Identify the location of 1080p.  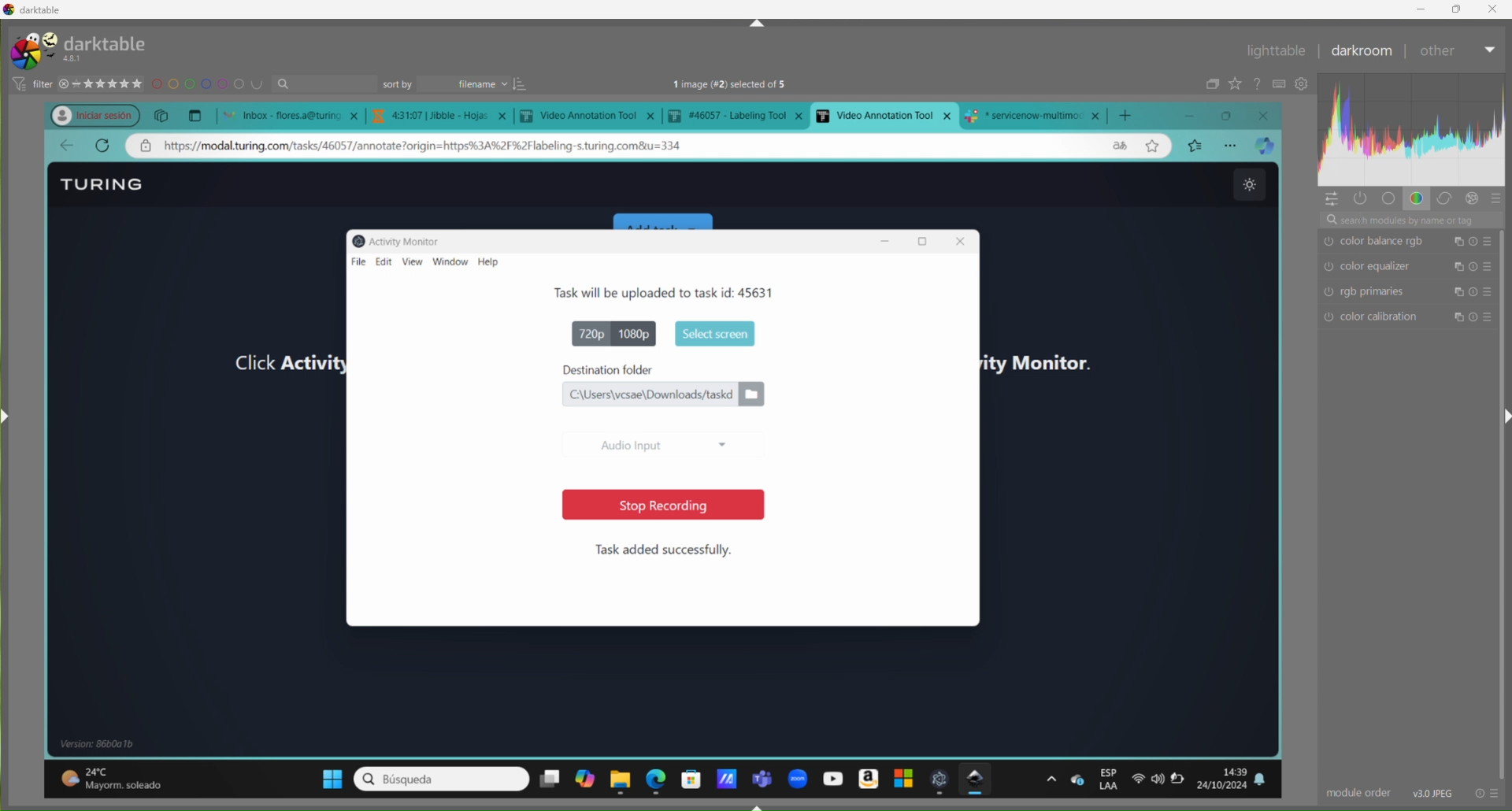
(638, 333).